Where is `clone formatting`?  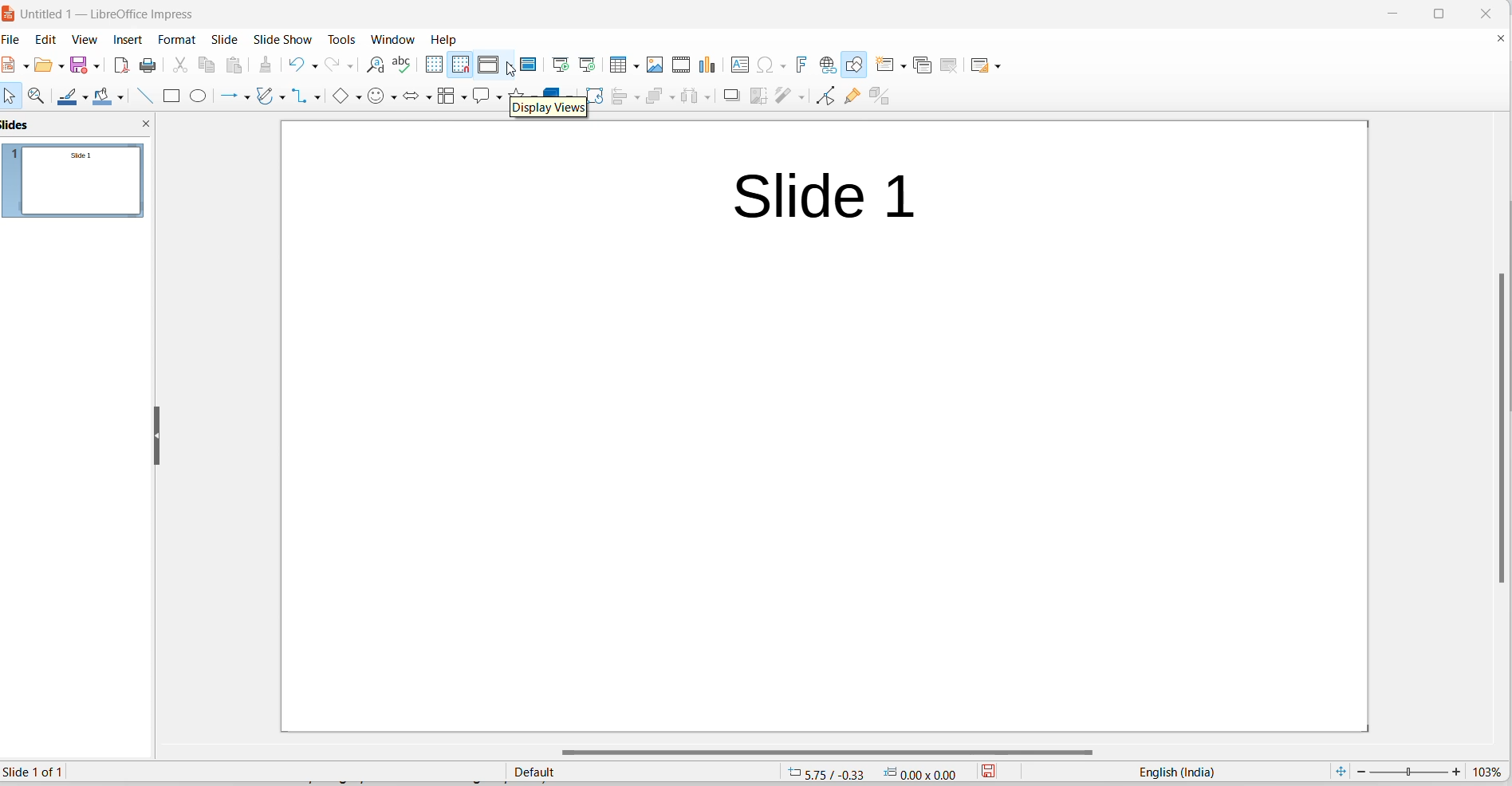
clone formatting is located at coordinates (267, 65).